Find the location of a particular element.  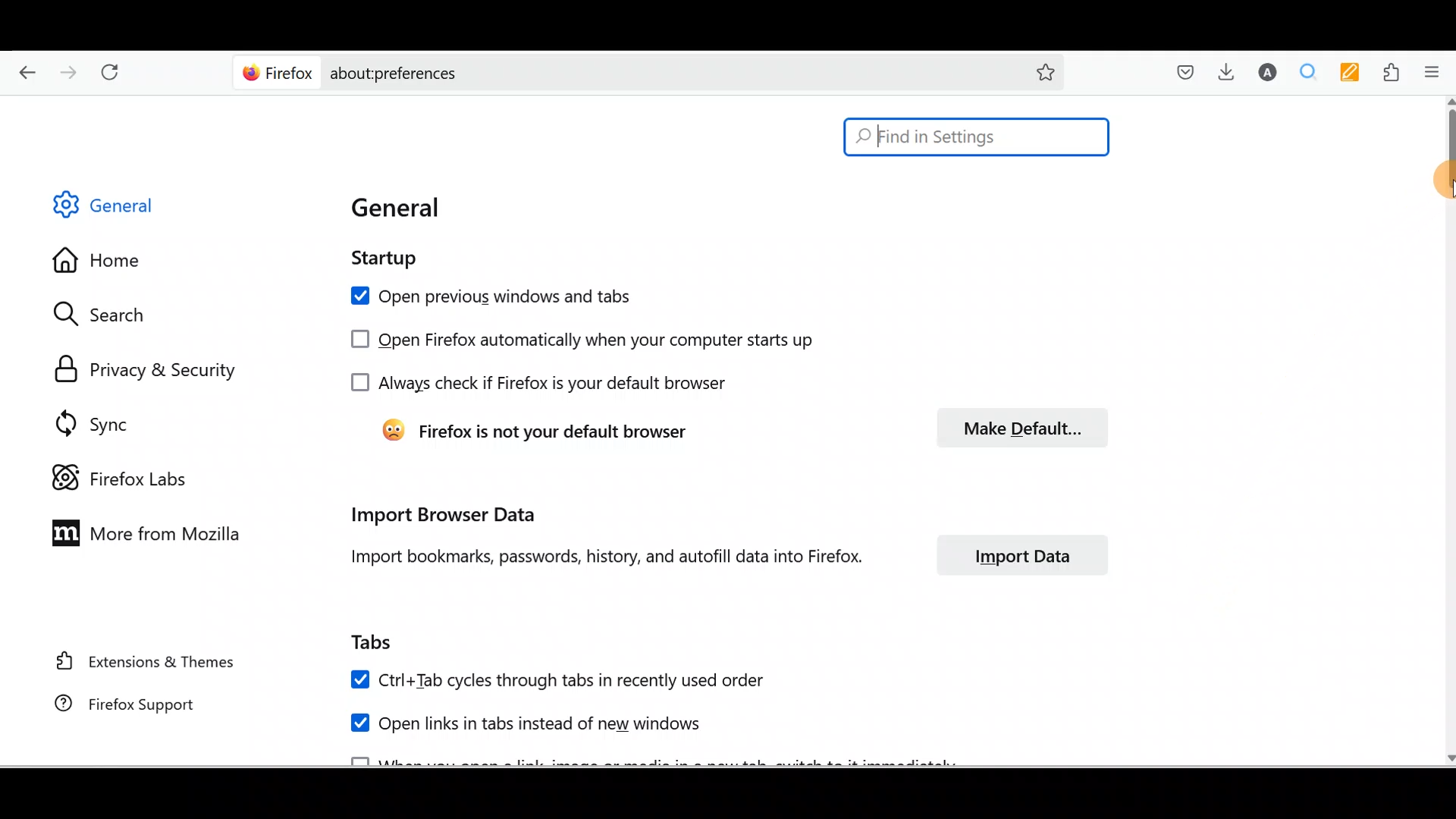

Make default is located at coordinates (1015, 426).